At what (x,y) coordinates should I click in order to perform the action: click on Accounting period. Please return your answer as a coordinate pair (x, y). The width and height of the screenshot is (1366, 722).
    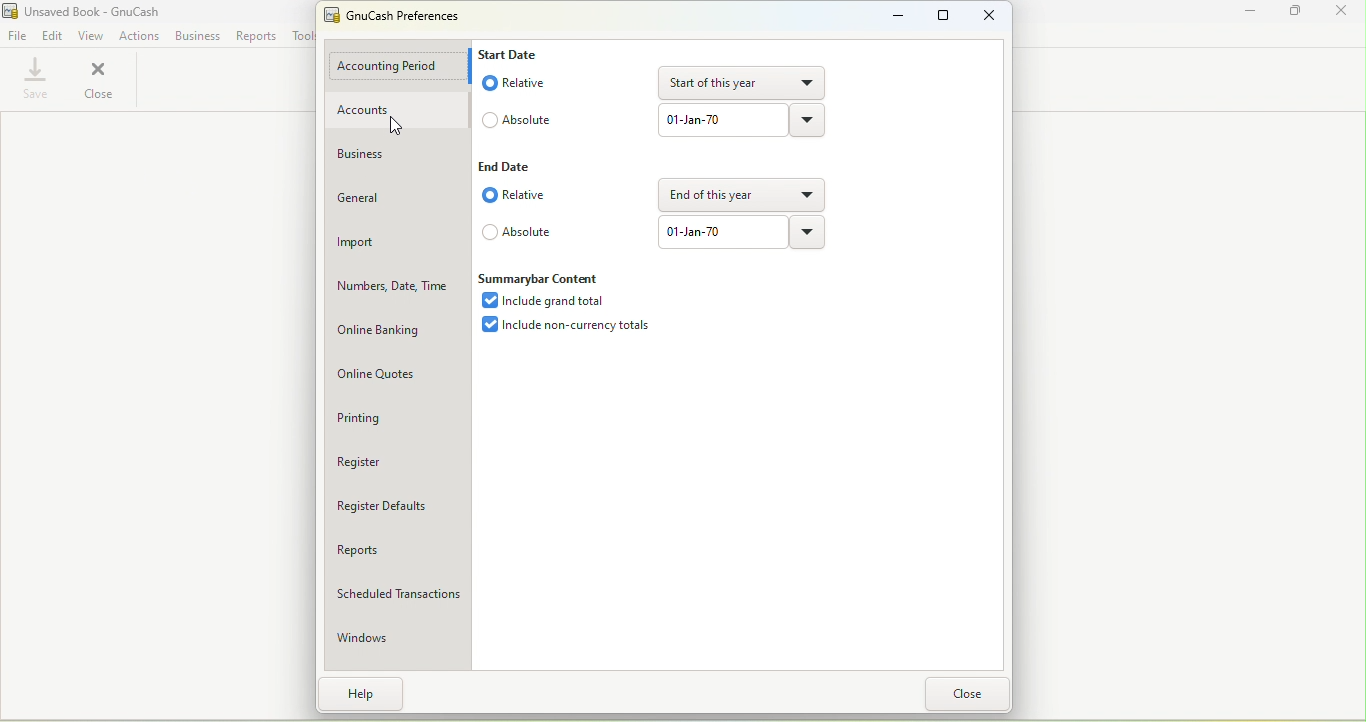
    Looking at the image, I should click on (400, 68).